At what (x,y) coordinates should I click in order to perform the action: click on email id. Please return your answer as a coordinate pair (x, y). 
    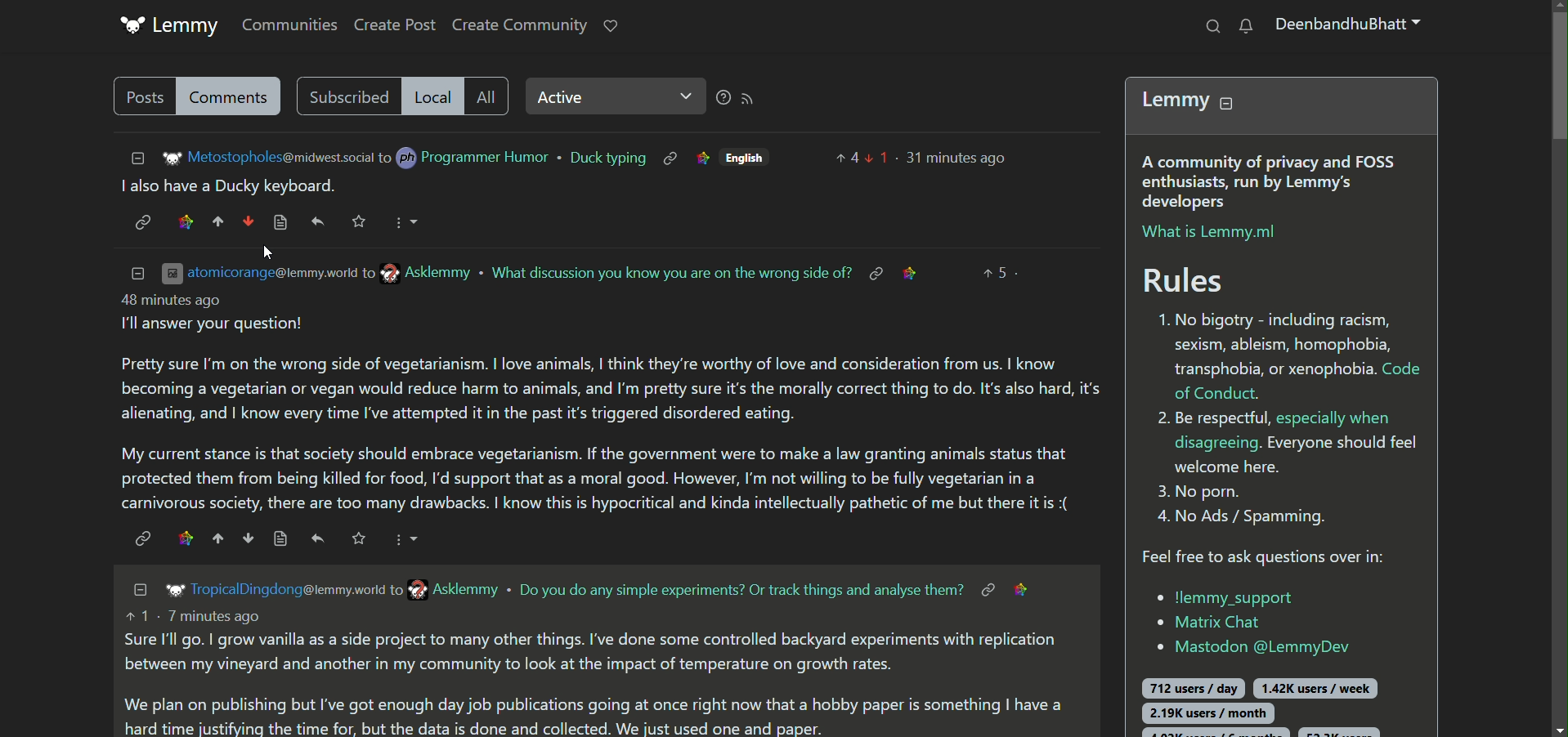
    Looking at the image, I should click on (320, 273).